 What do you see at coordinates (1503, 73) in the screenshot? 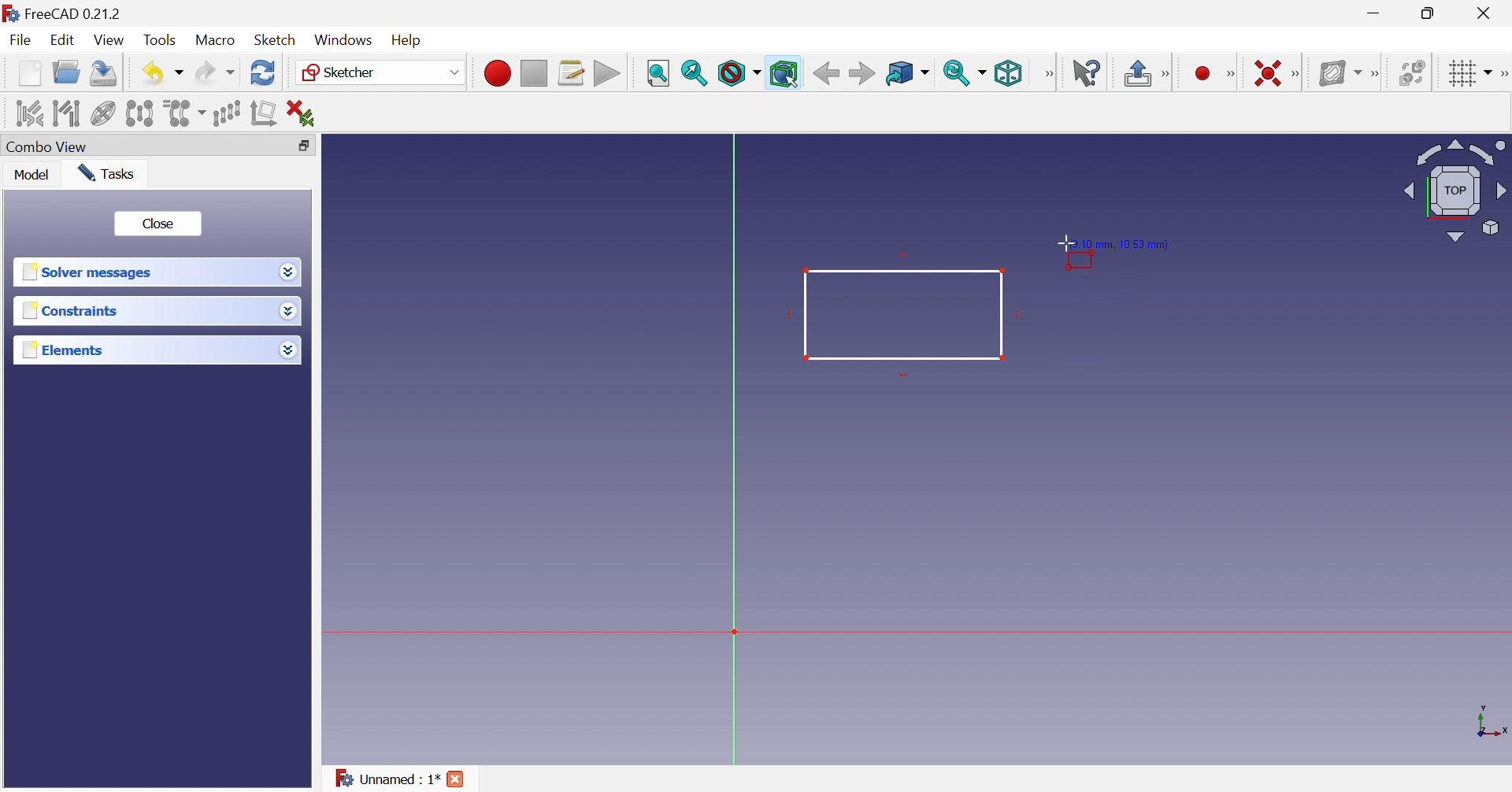
I see `[Sketcher edit tools]` at bounding box center [1503, 73].